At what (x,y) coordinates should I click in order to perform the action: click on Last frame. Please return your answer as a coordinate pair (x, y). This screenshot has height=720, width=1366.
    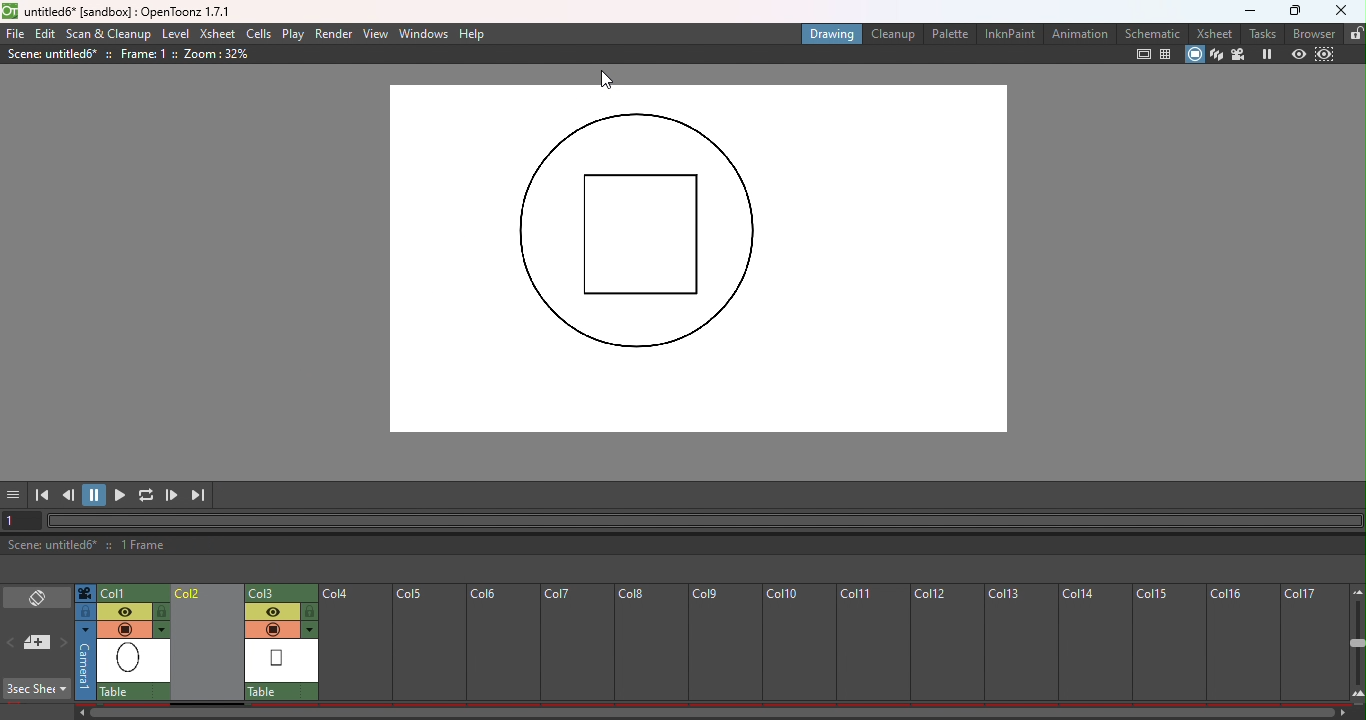
    Looking at the image, I should click on (200, 494).